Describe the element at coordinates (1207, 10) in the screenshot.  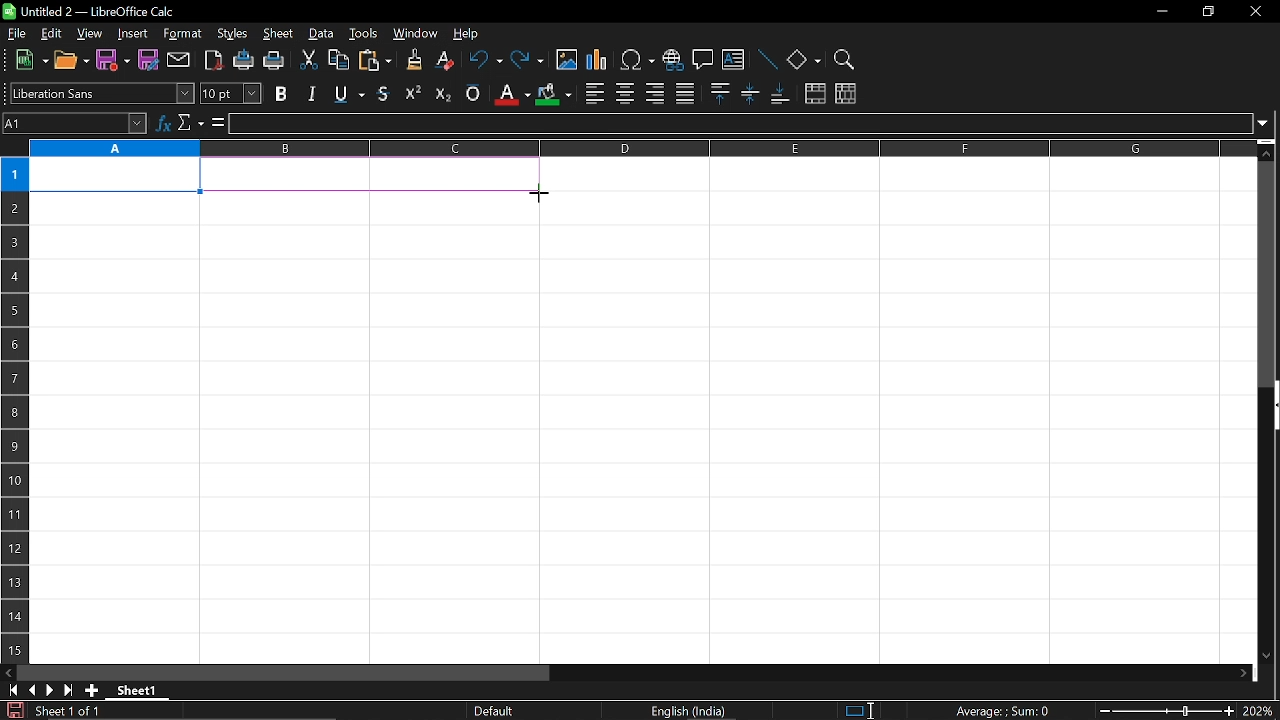
I see `restore down` at that location.